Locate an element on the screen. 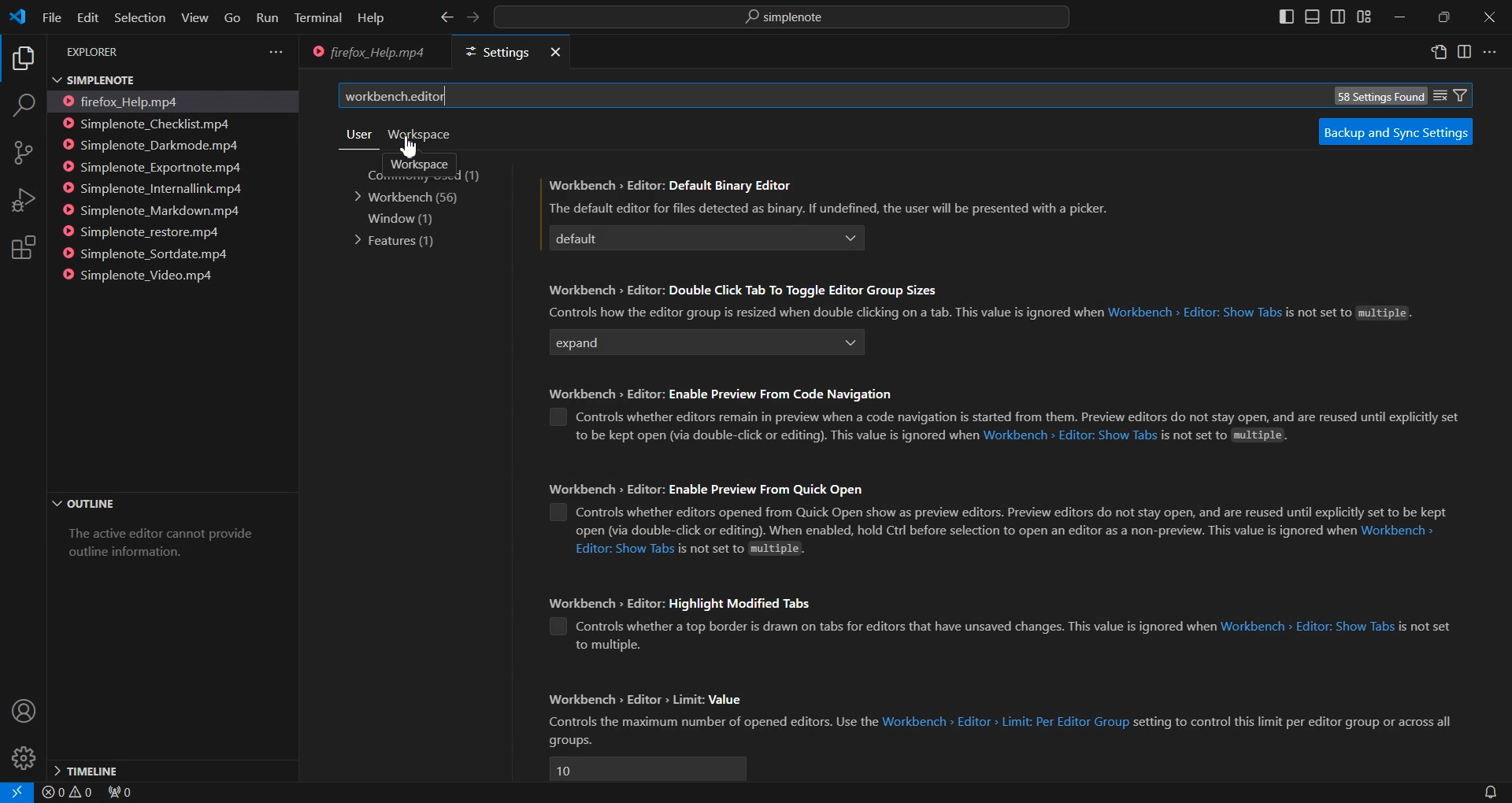 Image resolution: width=1512 pixels, height=803 pixels. firefox_Help.mp4 is located at coordinates (131, 101).